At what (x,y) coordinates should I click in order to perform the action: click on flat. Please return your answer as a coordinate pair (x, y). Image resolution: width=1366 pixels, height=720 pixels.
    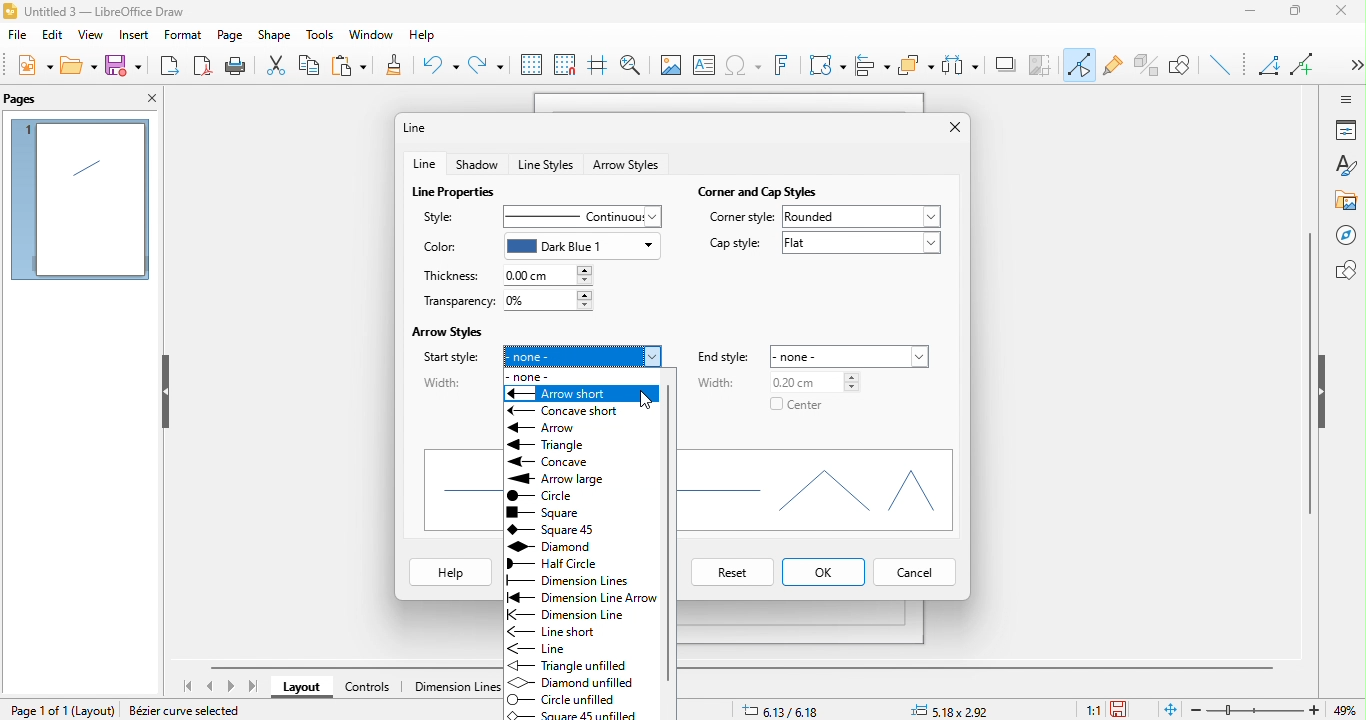
    Looking at the image, I should click on (861, 248).